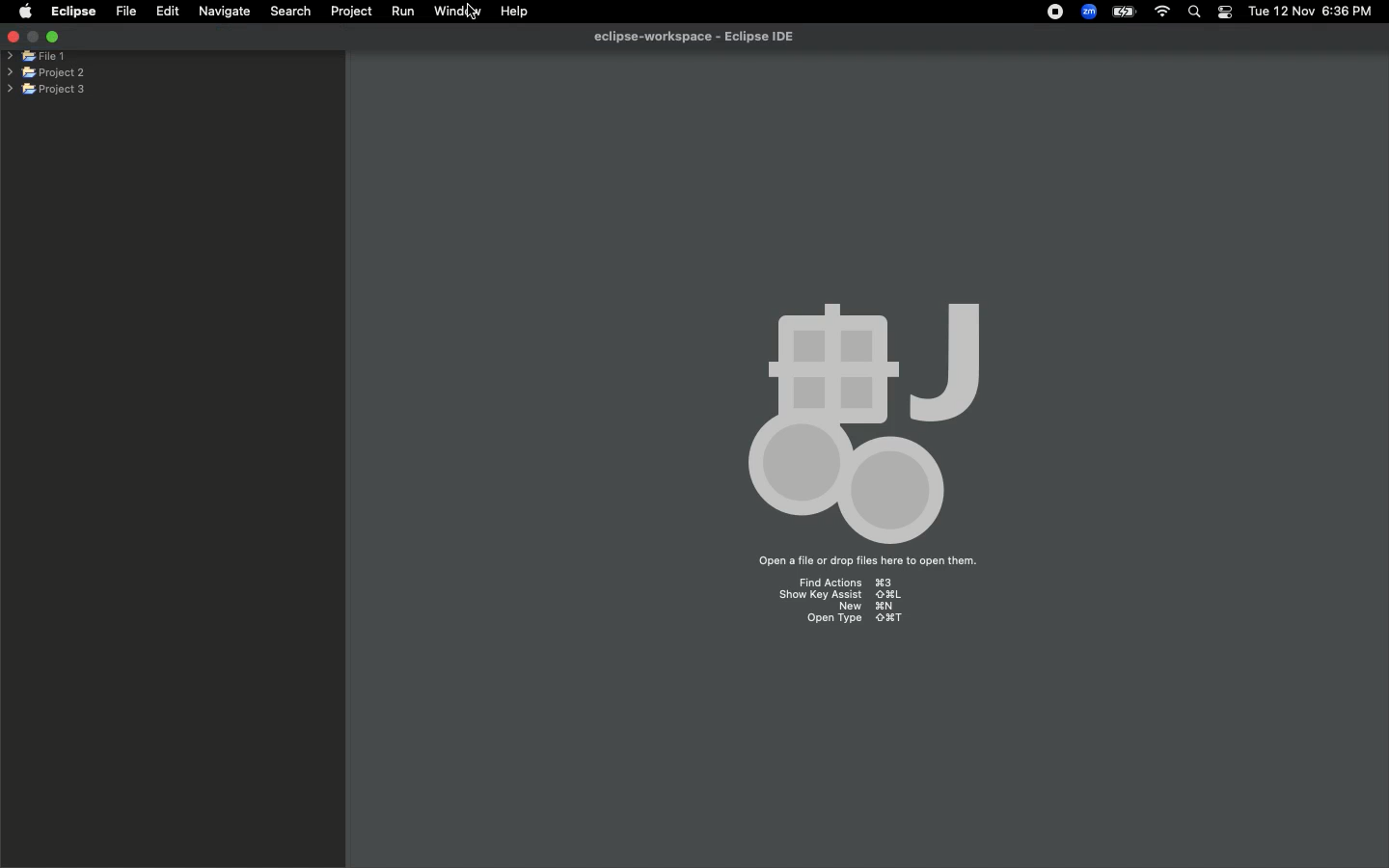 The width and height of the screenshot is (1389, 868). Describe the element at coordinates (168, 12) in the screenshot. I see `Edit` at that location.